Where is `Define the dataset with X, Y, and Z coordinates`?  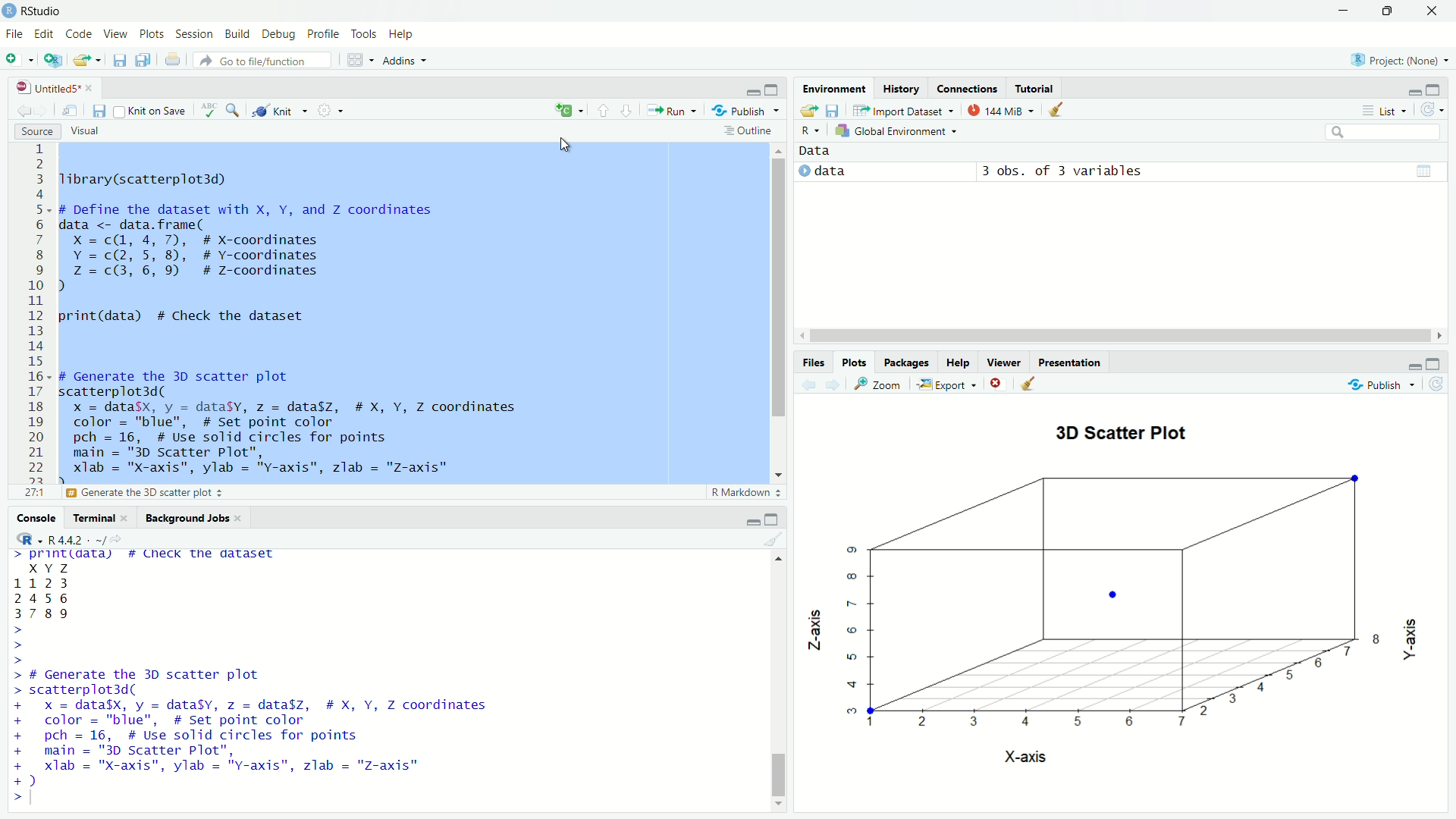
Define the dataset with X, Y, and Z coordinates is located at coordinates (189, 493).